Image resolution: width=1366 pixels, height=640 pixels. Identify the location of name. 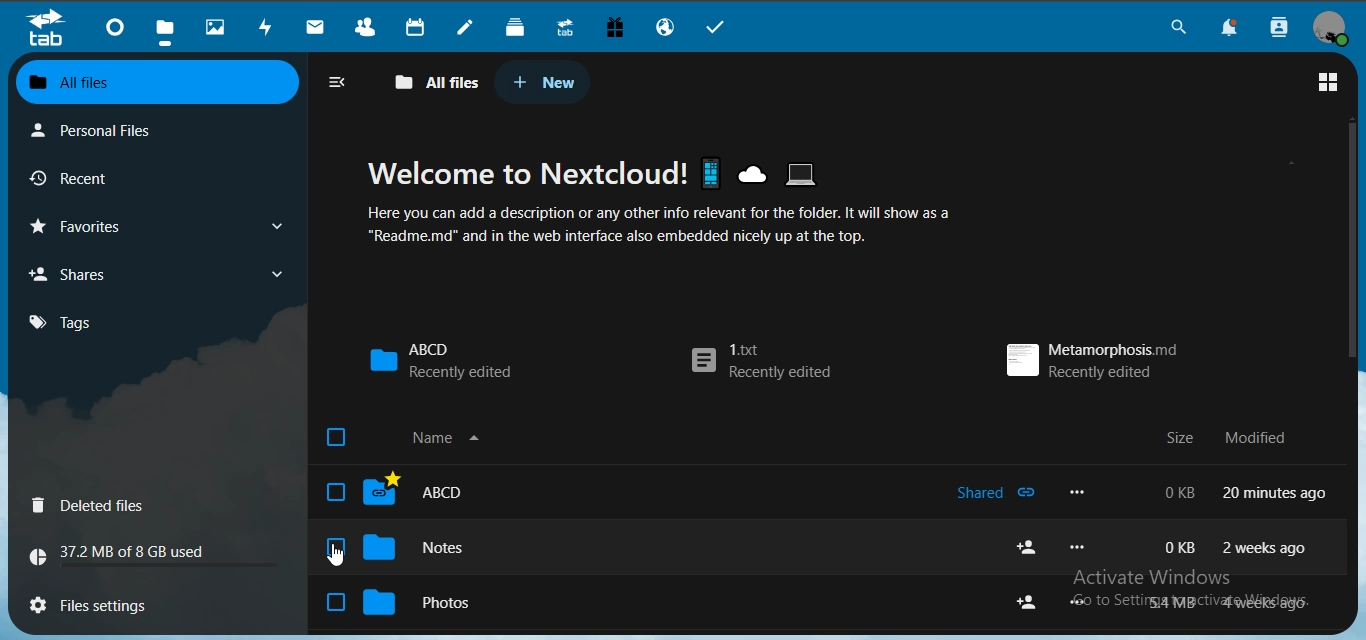
(417, 438).